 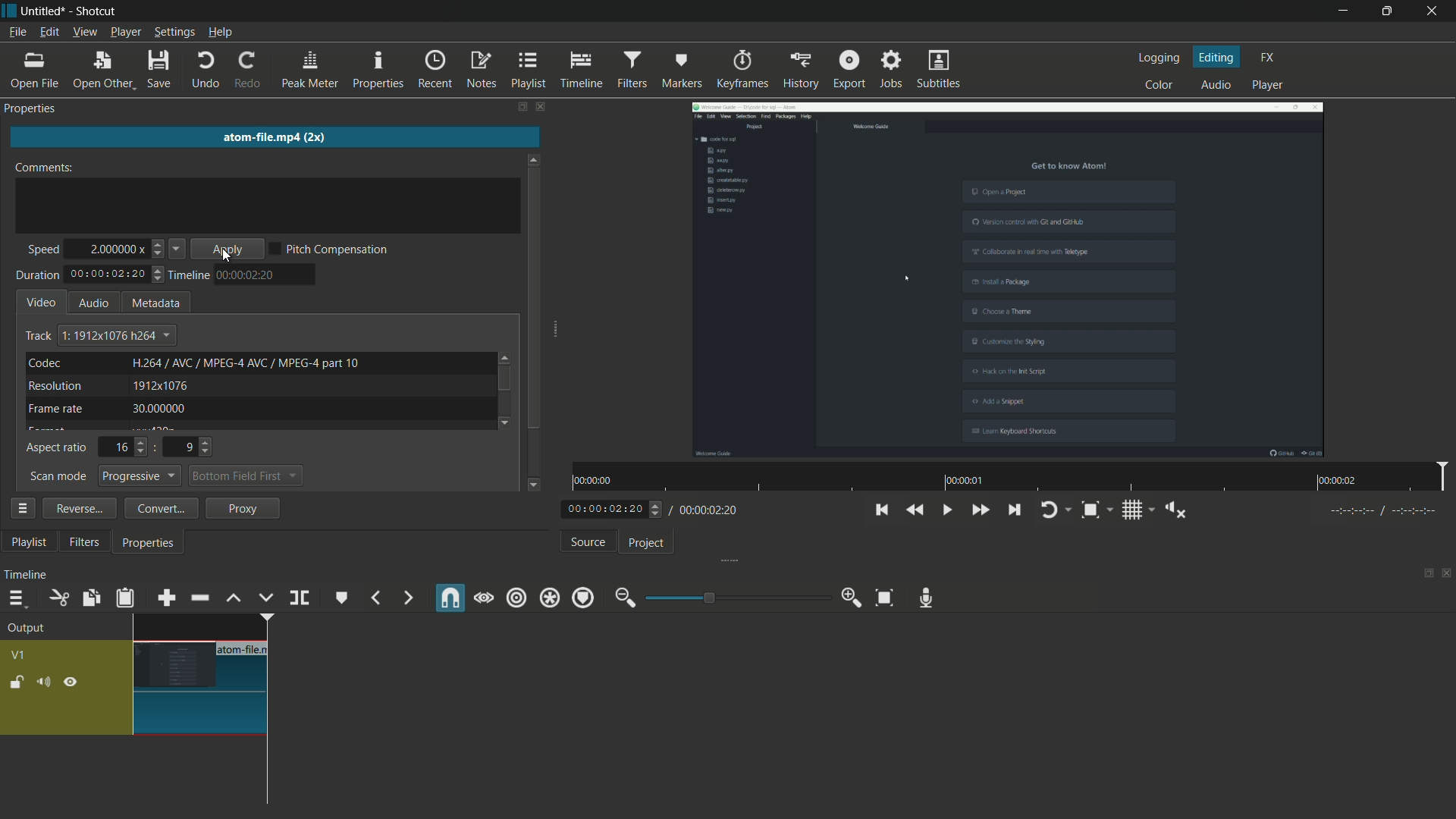 I want to click on timeline, so click(x=187, y=276).